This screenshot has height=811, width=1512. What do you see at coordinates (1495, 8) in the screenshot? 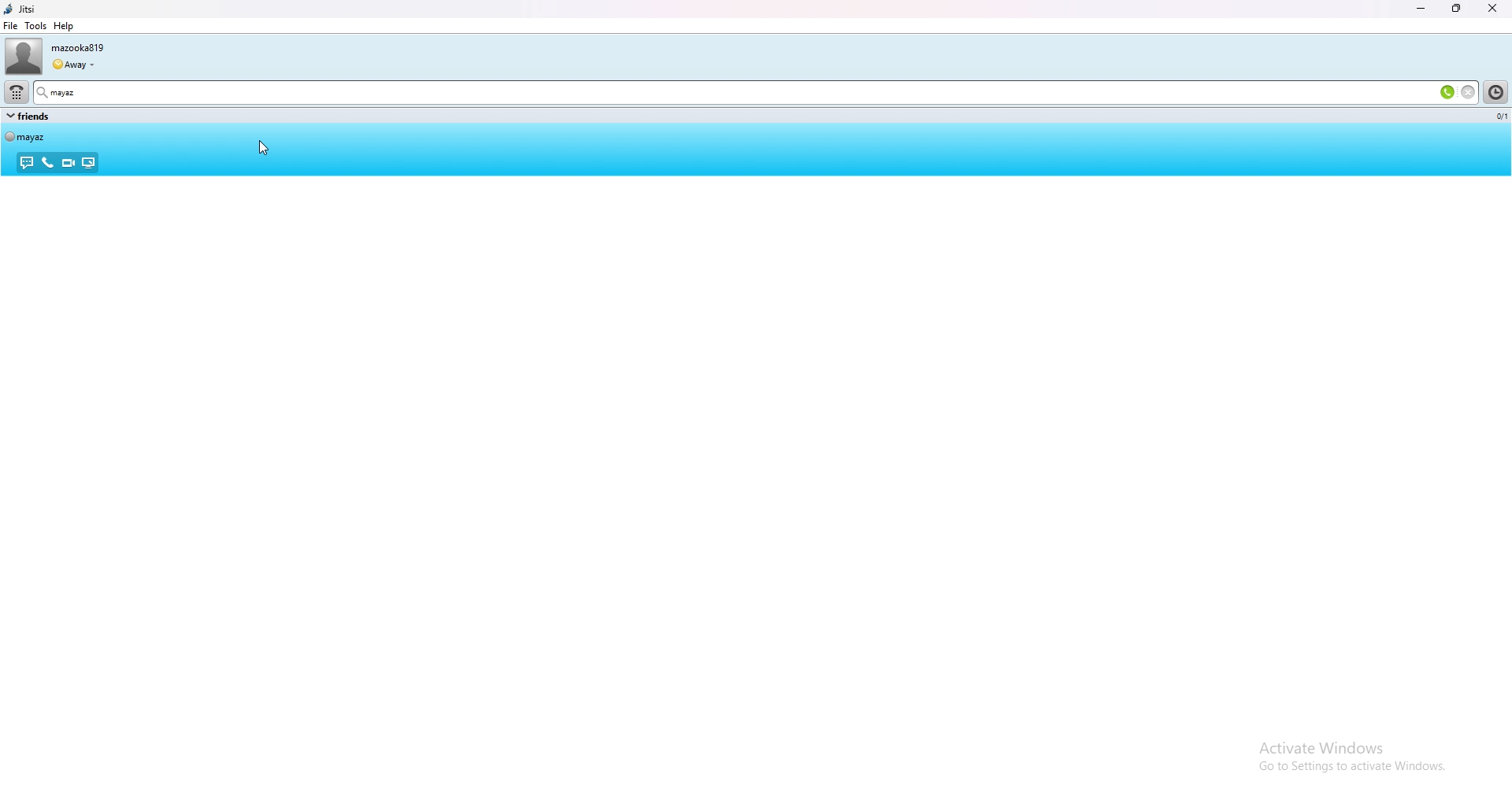
I see `close` at bounding box center [1495, 8].